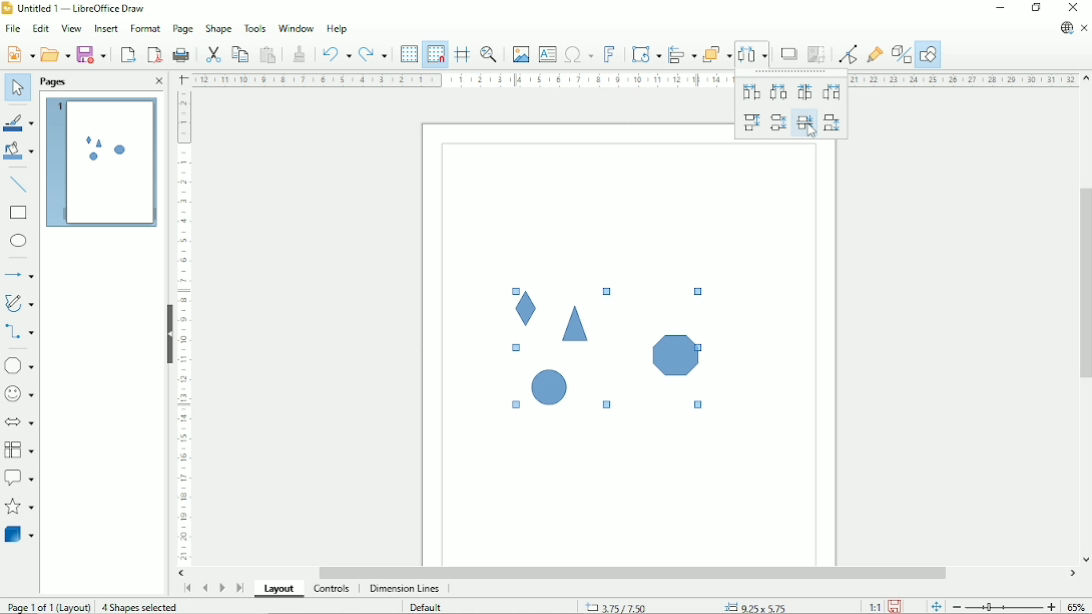 This screenshot has width=1092, height=614. Describe the element at coordinates (181, 52) in the screenshot. I see `Print` at that location.